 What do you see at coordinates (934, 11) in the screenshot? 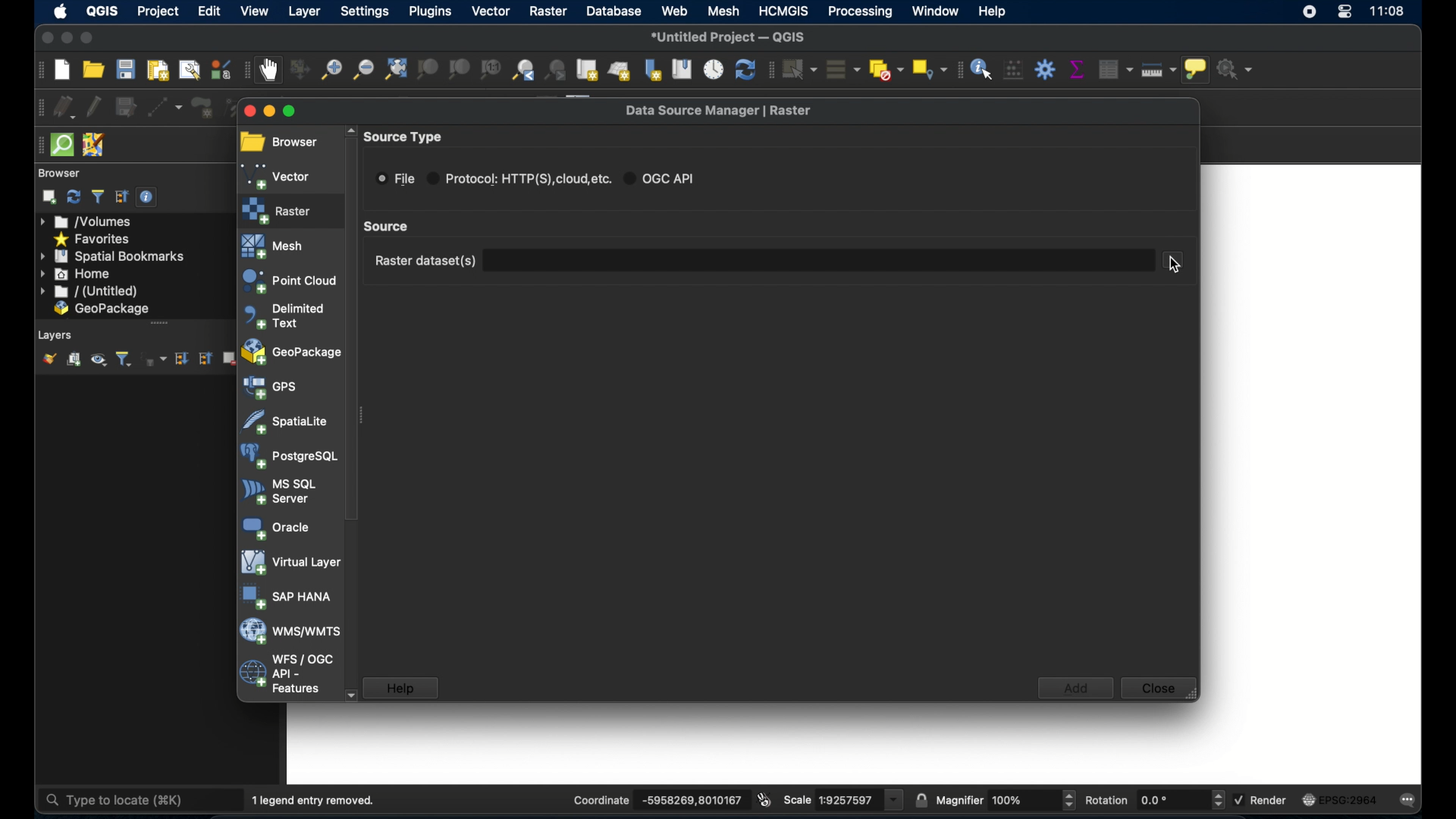
I see `window` at bounding box center [934, 11].